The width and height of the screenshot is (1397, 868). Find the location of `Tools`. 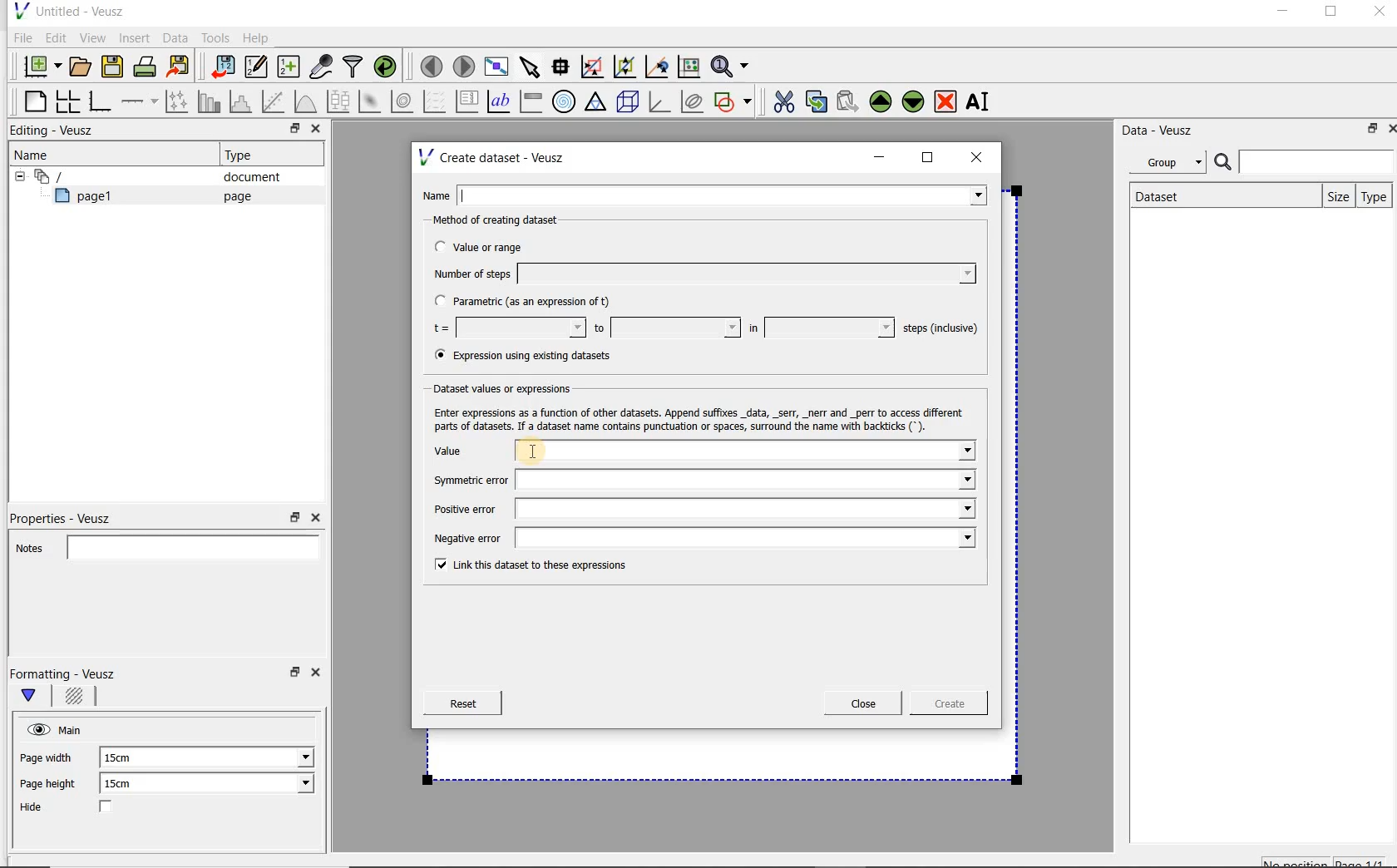

Tools is located at coordinates (214, 38).